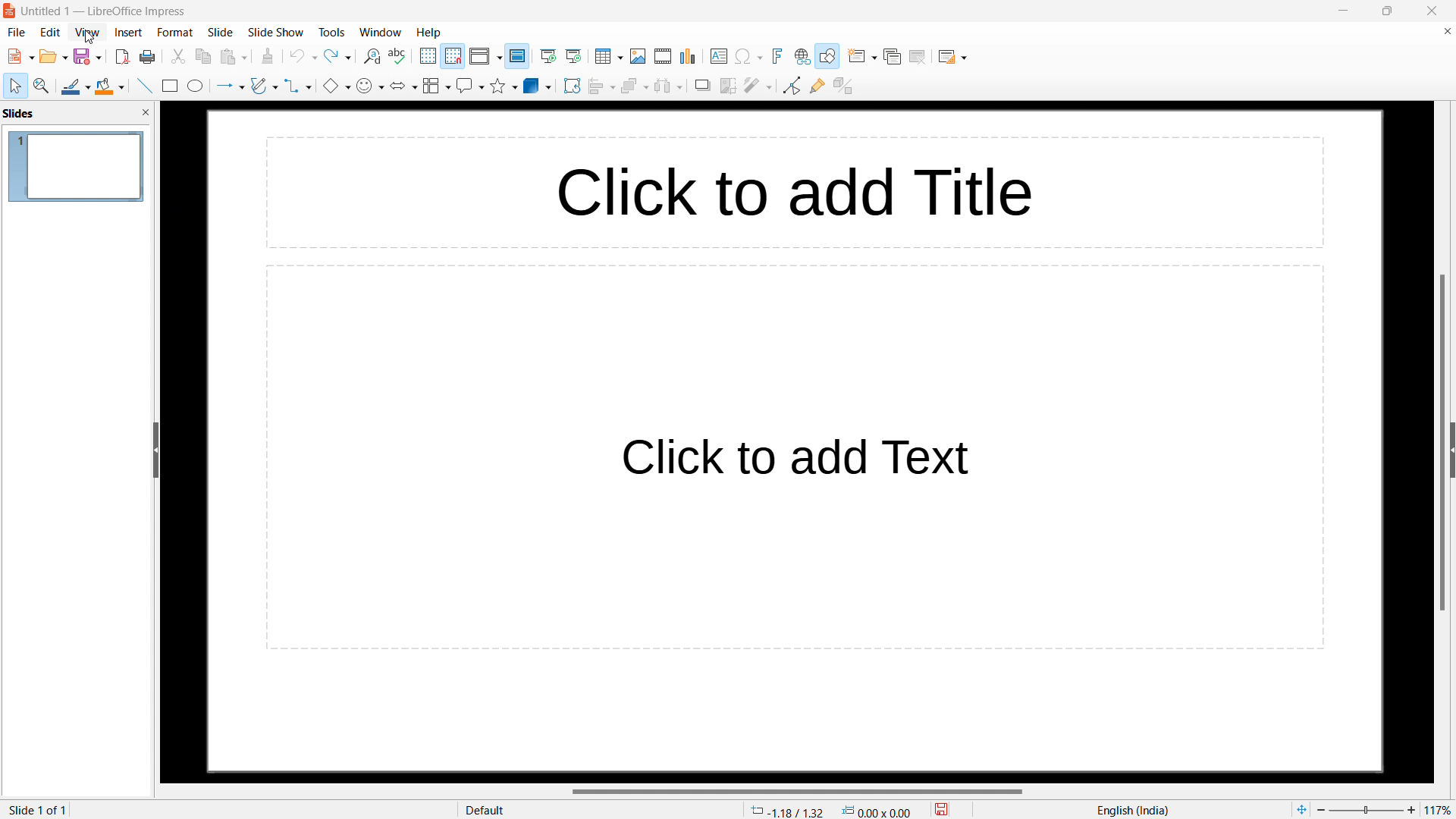 Image resolution: width=1456 pixels, height=819 pixels. What do you see at coordinates (175, 33) in the screenshot?
I see `format` at bounding box center [175, 33].